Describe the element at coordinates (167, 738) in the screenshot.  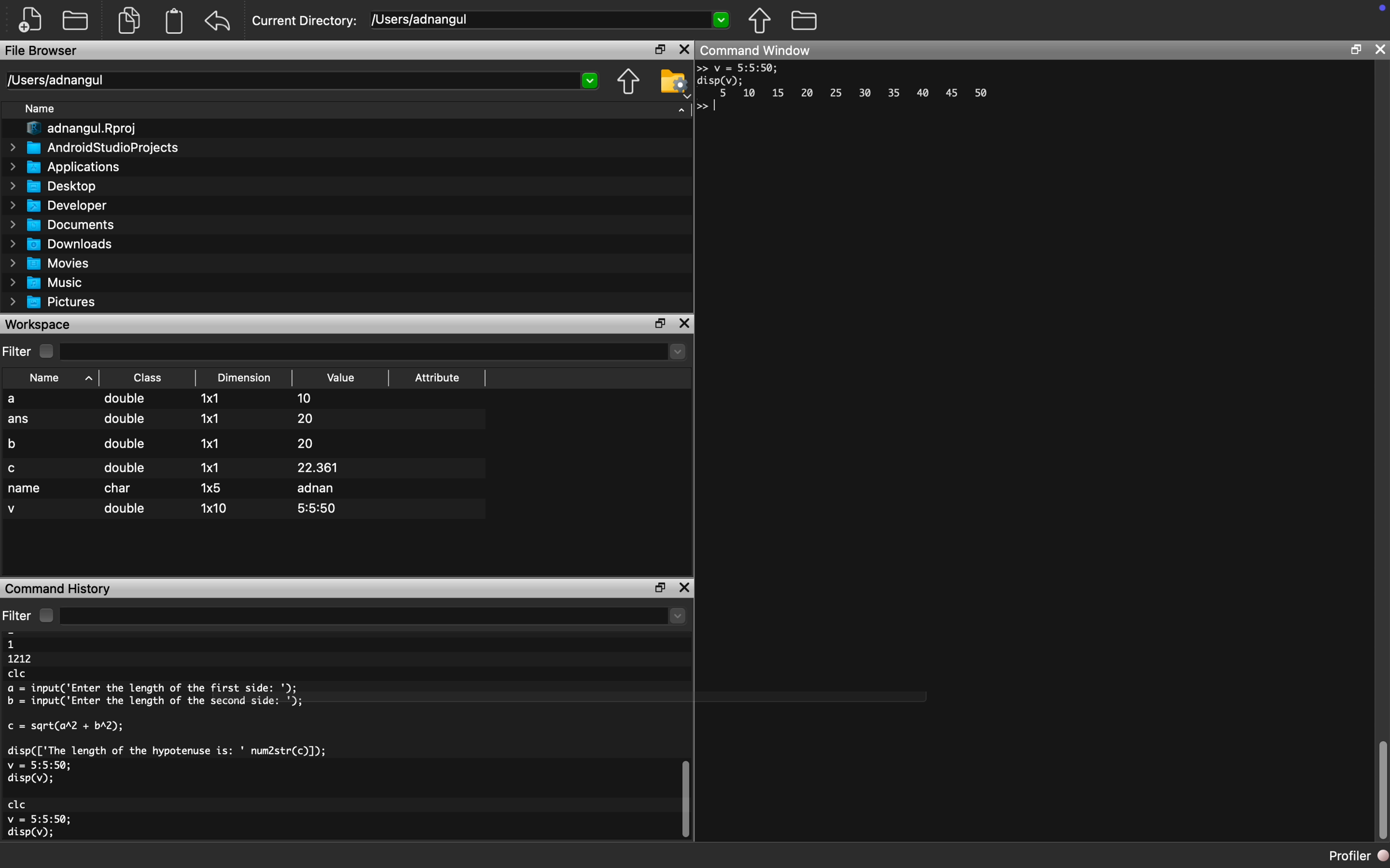
I see `11212clca = input('Enter the length of the first side: ');b = input('Enter the length of the second side: ');c = sqrt(ar2 + bA2);disp(['The length of the hypotenuse is: ' num2str(c)]);v = 5:5:50;disp(v);Gl'Gv = 5:5:50;disp(v);` at that location.